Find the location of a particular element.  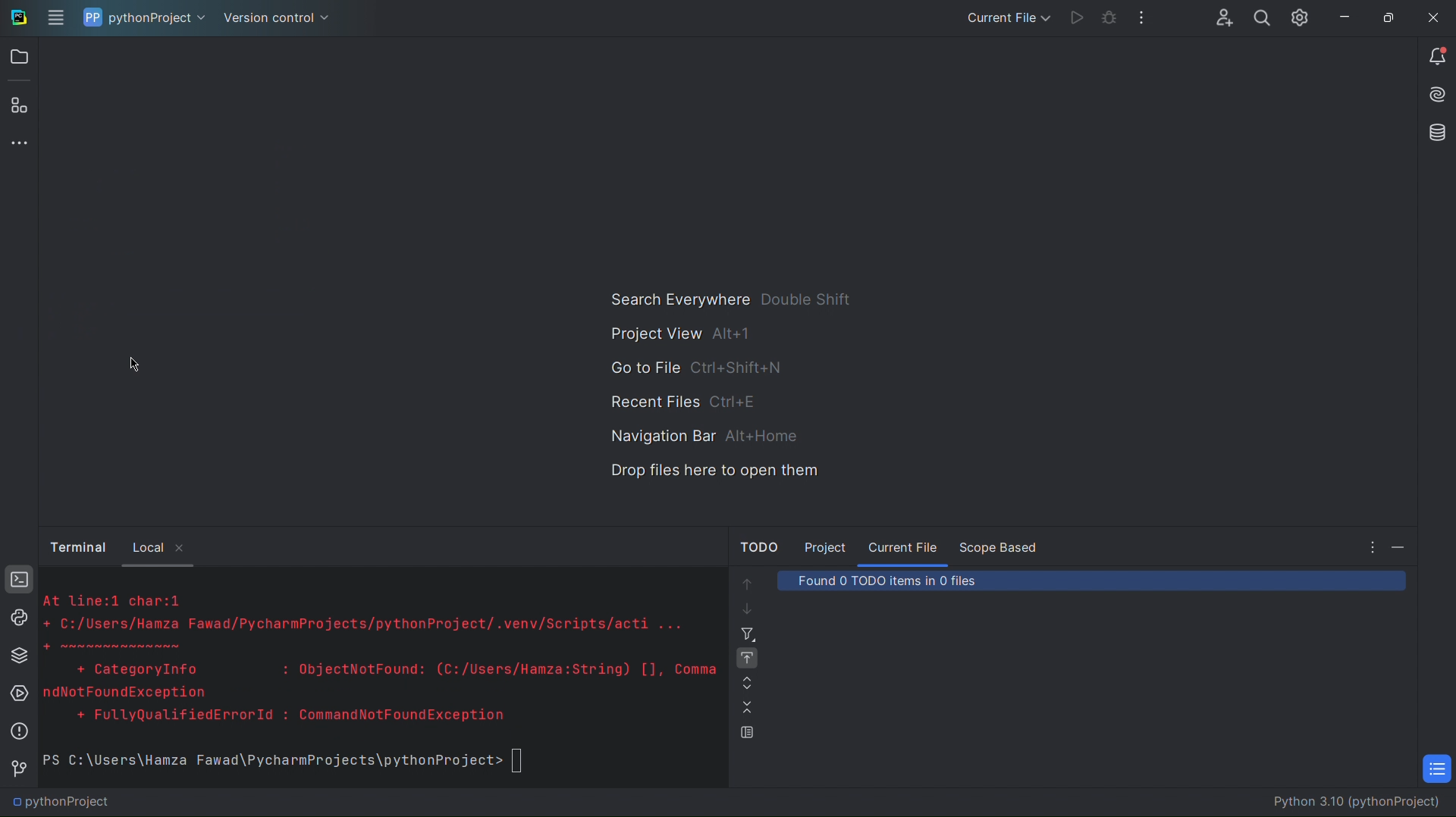

Navigation Bar alt+home is located at coordinates (699, 436).